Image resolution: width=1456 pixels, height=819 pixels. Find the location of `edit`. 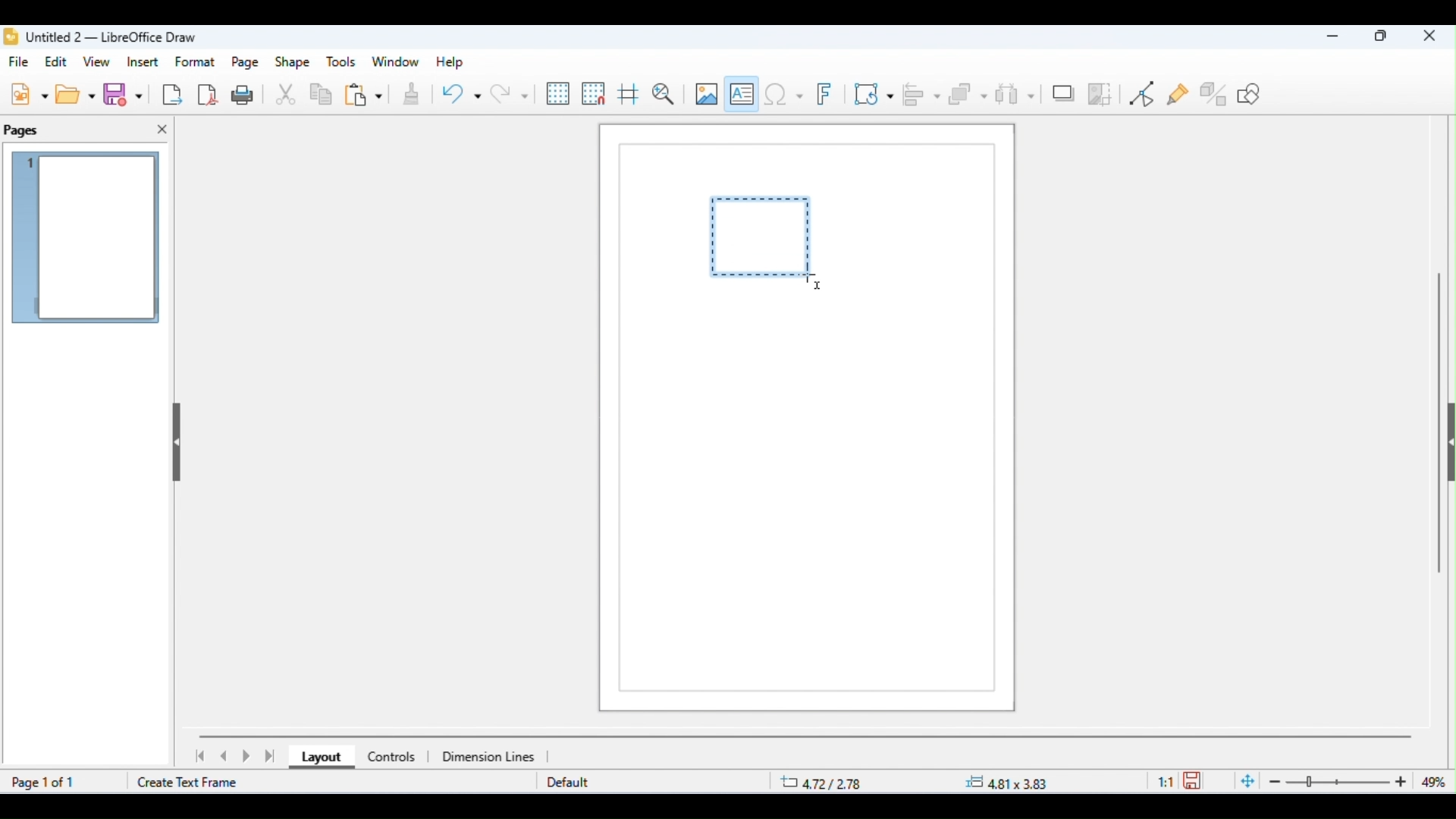

edit is located at coordinates (58, 61).